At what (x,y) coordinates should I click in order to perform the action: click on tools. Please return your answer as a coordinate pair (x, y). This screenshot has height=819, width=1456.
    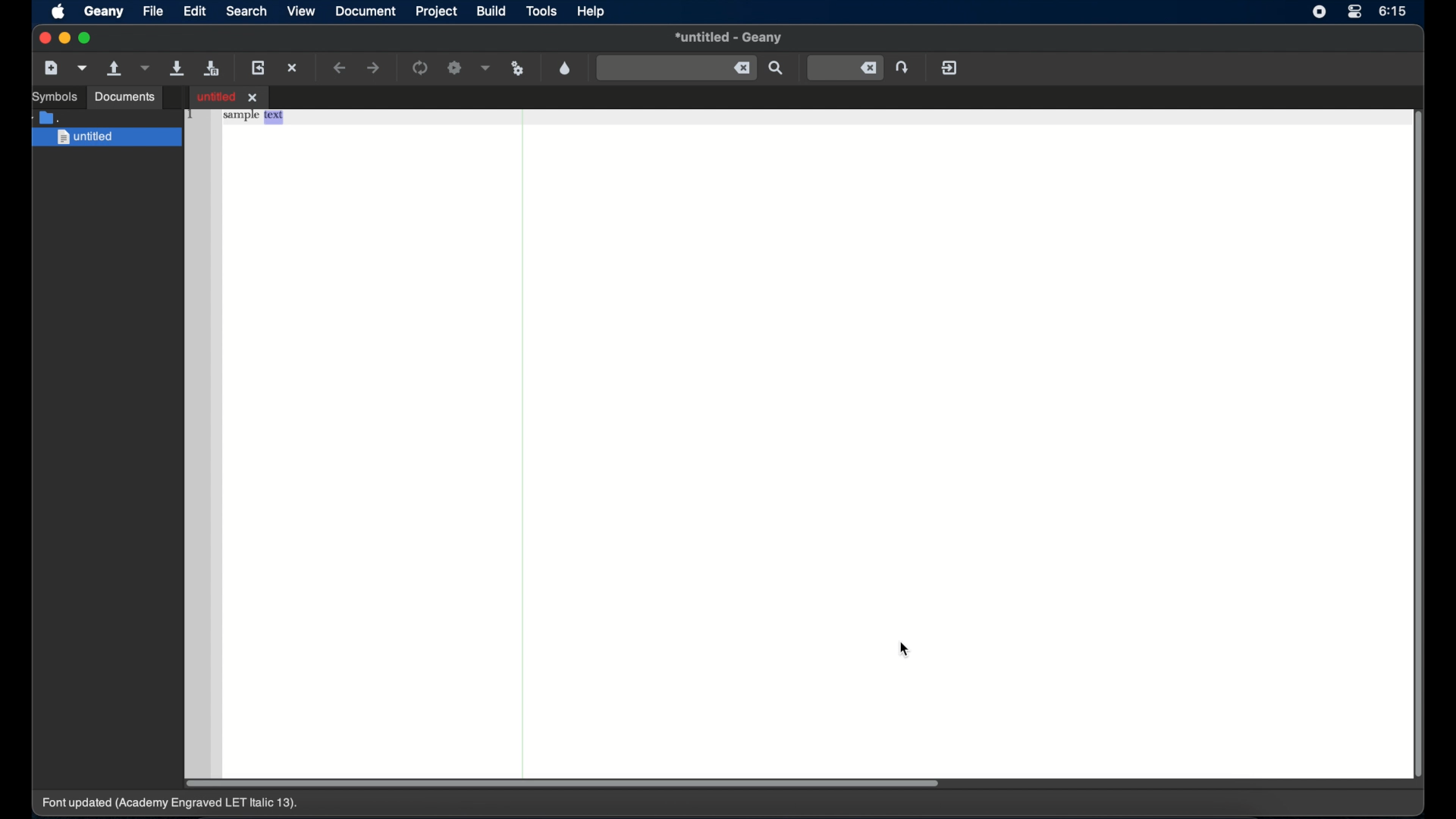
    Looking at the image, I should click on (543, 12).